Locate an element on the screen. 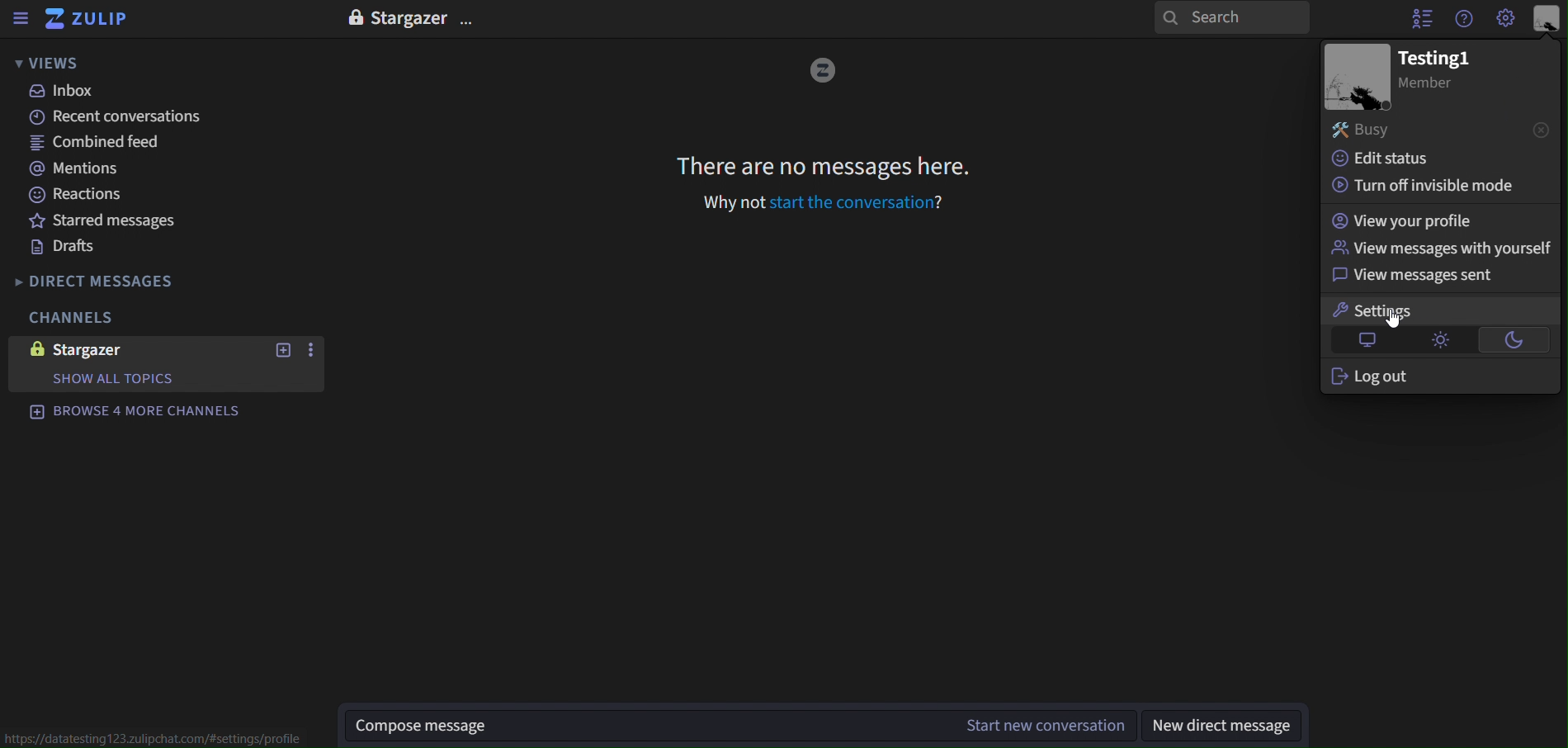 This screenshot has width=1568, height=748. direct messages is located at coordinates (97, 282).